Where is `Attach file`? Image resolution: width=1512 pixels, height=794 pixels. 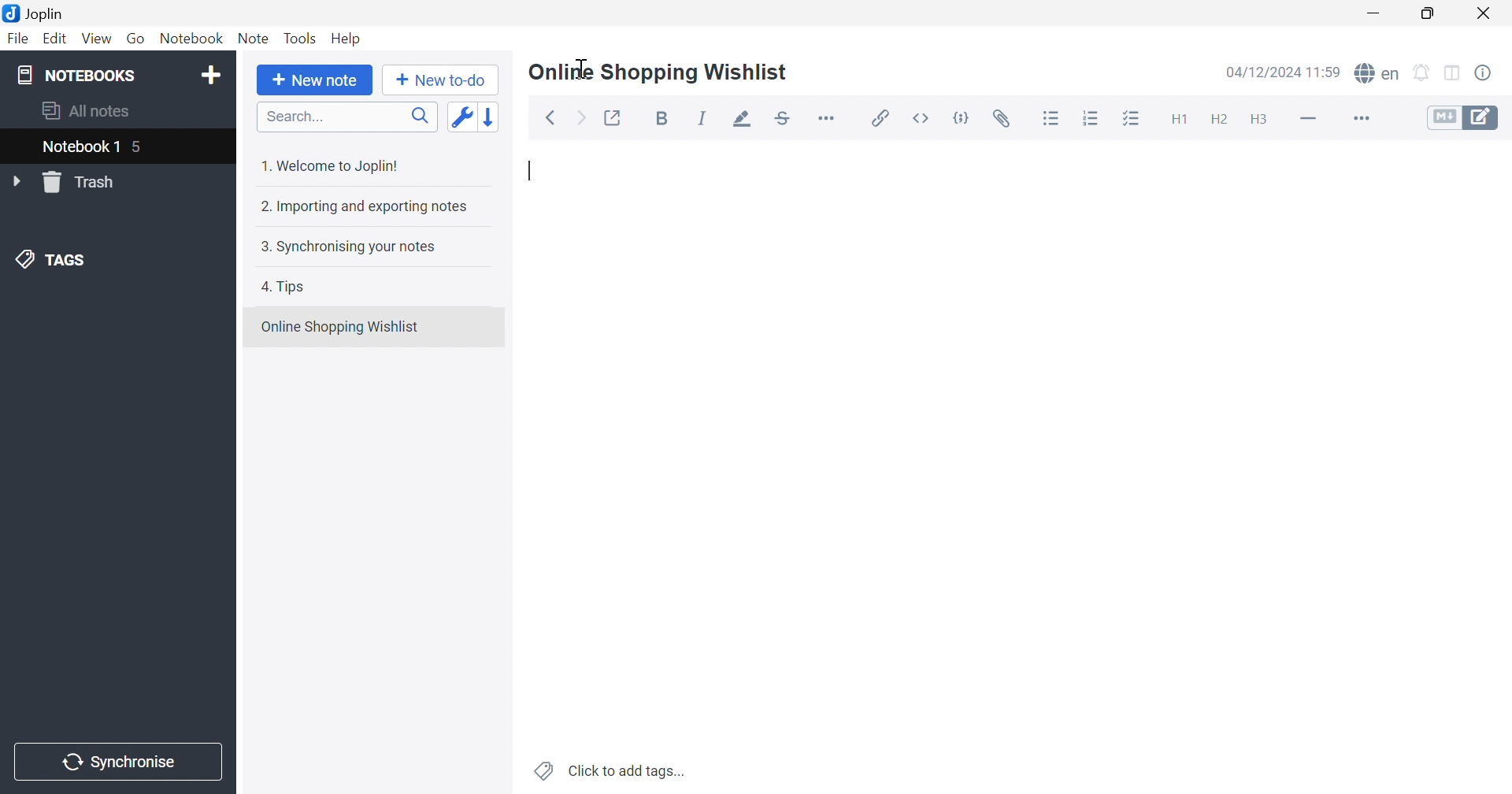 Attach file is located at coordinates (1006, 121).